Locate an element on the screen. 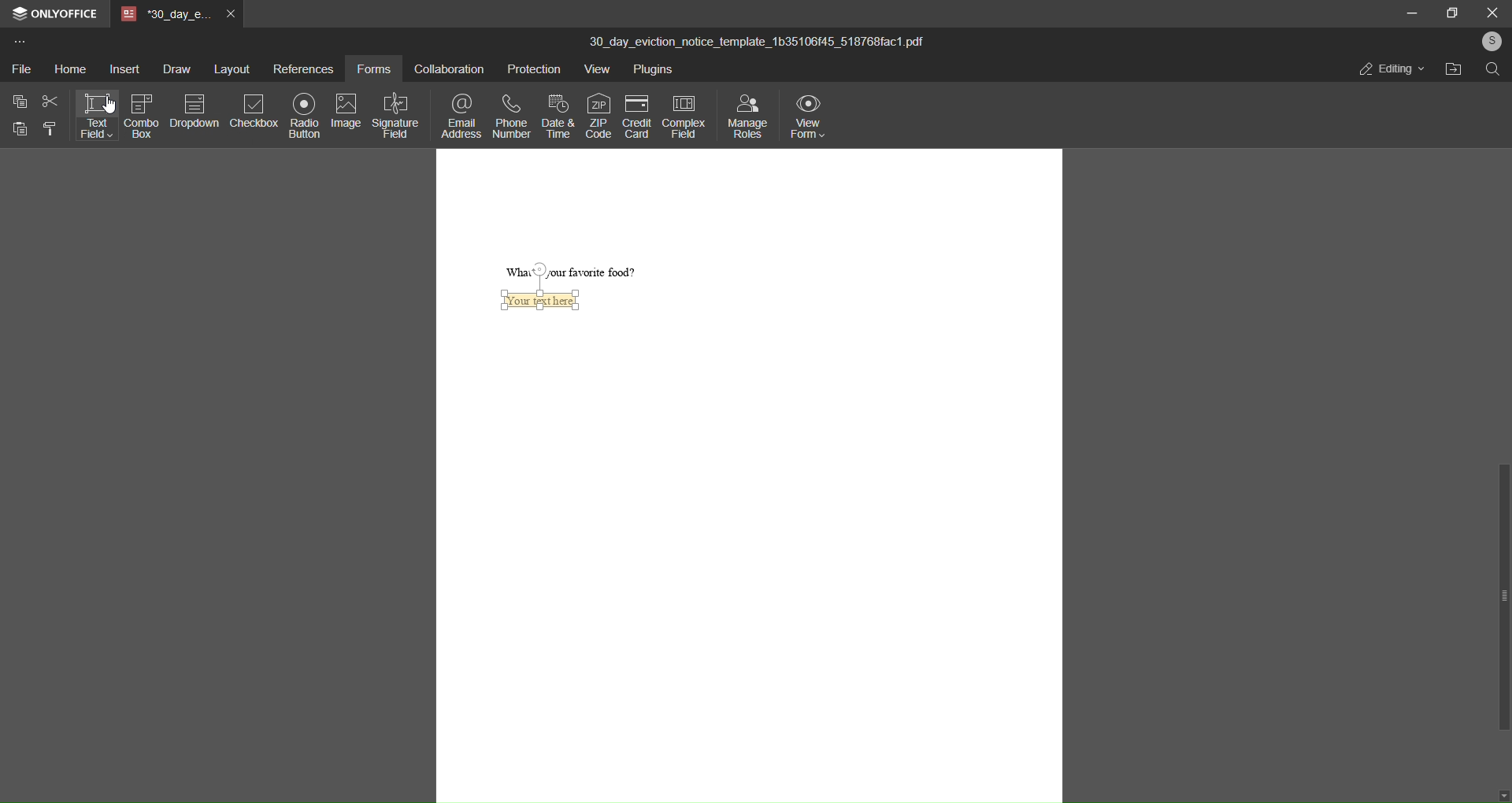 The height and width of the screenshot is (803, 1512). logo is located at coordinates (20, 16).